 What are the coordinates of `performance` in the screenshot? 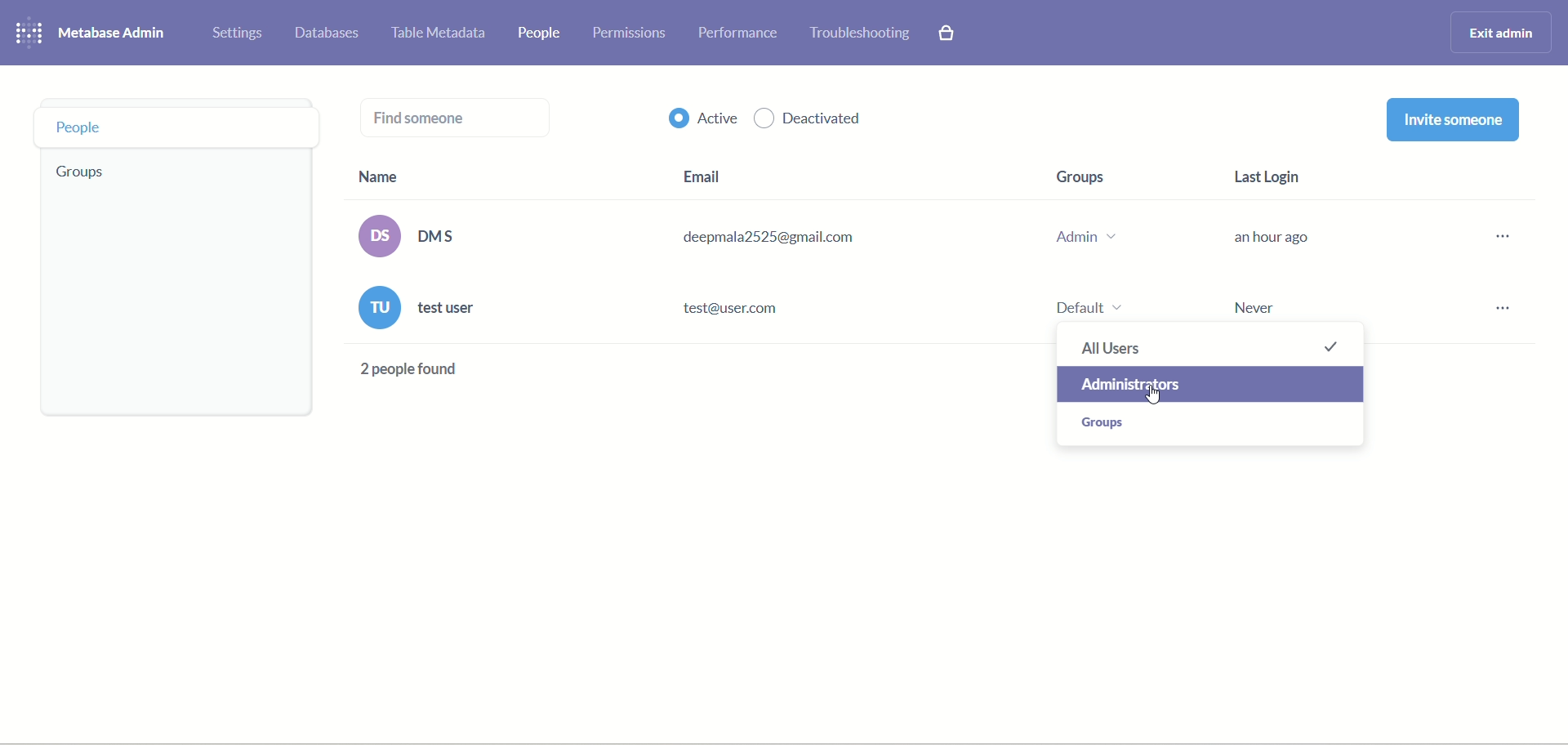 It's located at (742, 33).